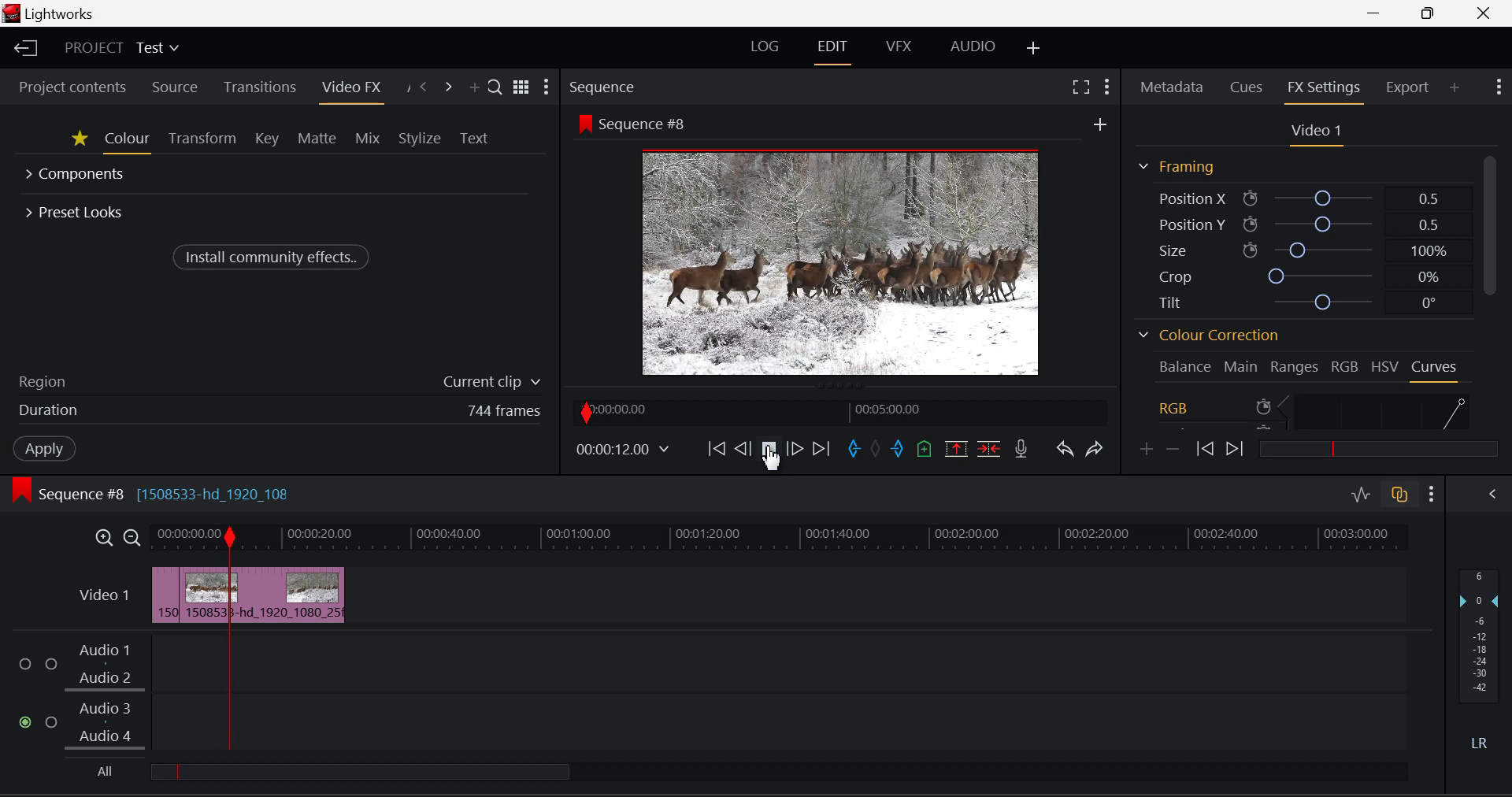 Image resolution: width=1512 pixels, height=797 pixels. What do you see at coordinates (472, 84) in the screenshot?
I see `Add Panel` at bounding box center [472, 84].